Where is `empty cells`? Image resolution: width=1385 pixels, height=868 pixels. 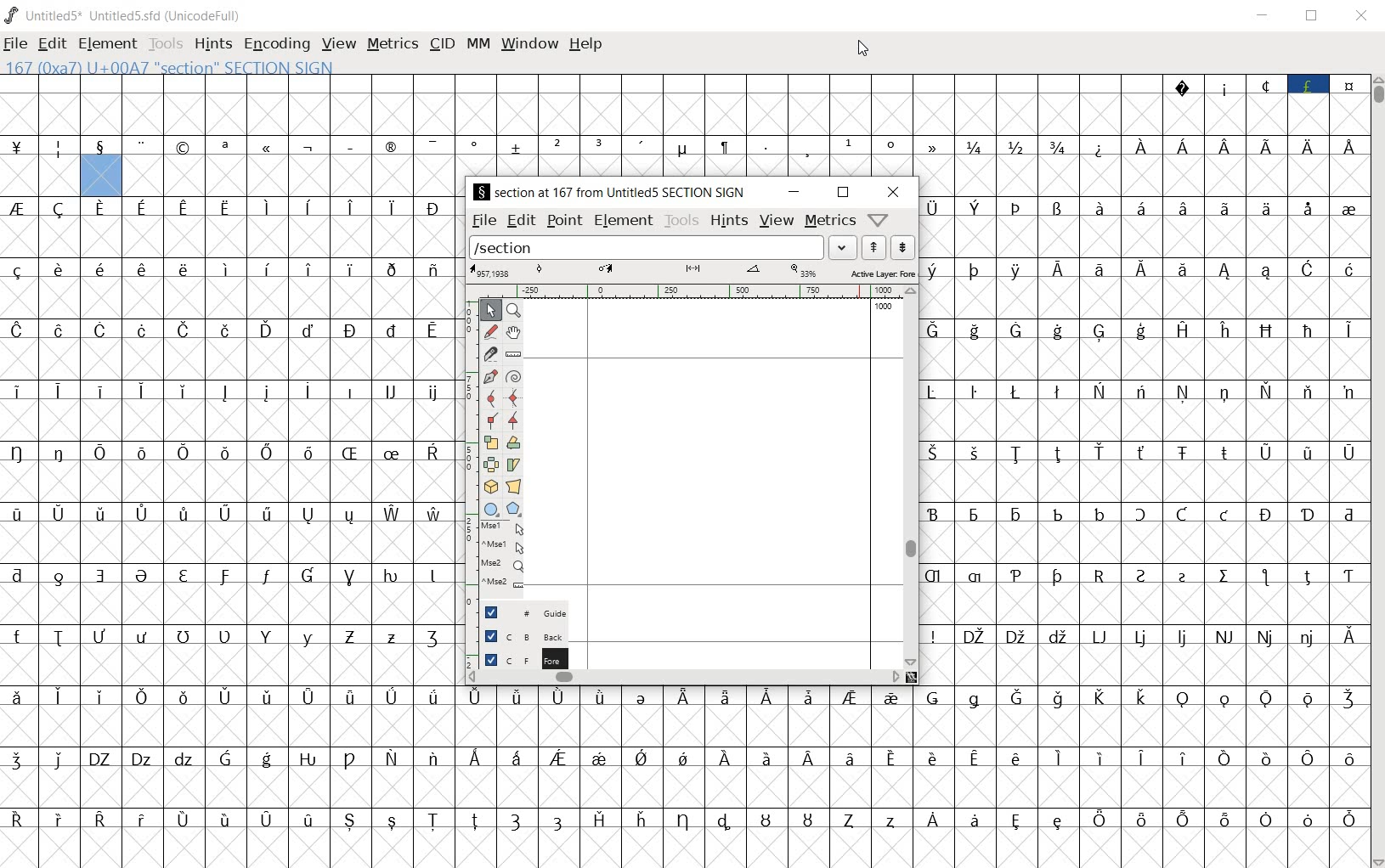
empty cells is located at coordinates (1145, 177).